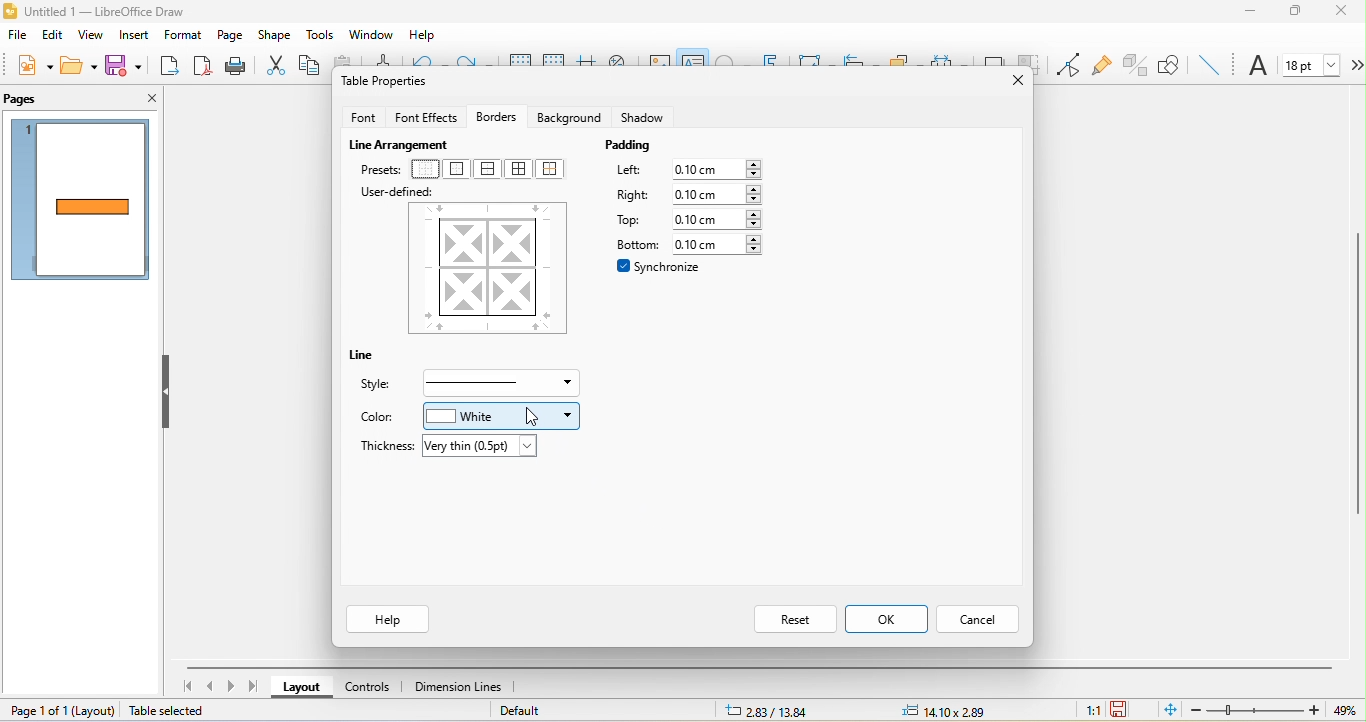 This screenshot has width=1366, height=722. I want to click on 0.10 cm, so click(715, 195).